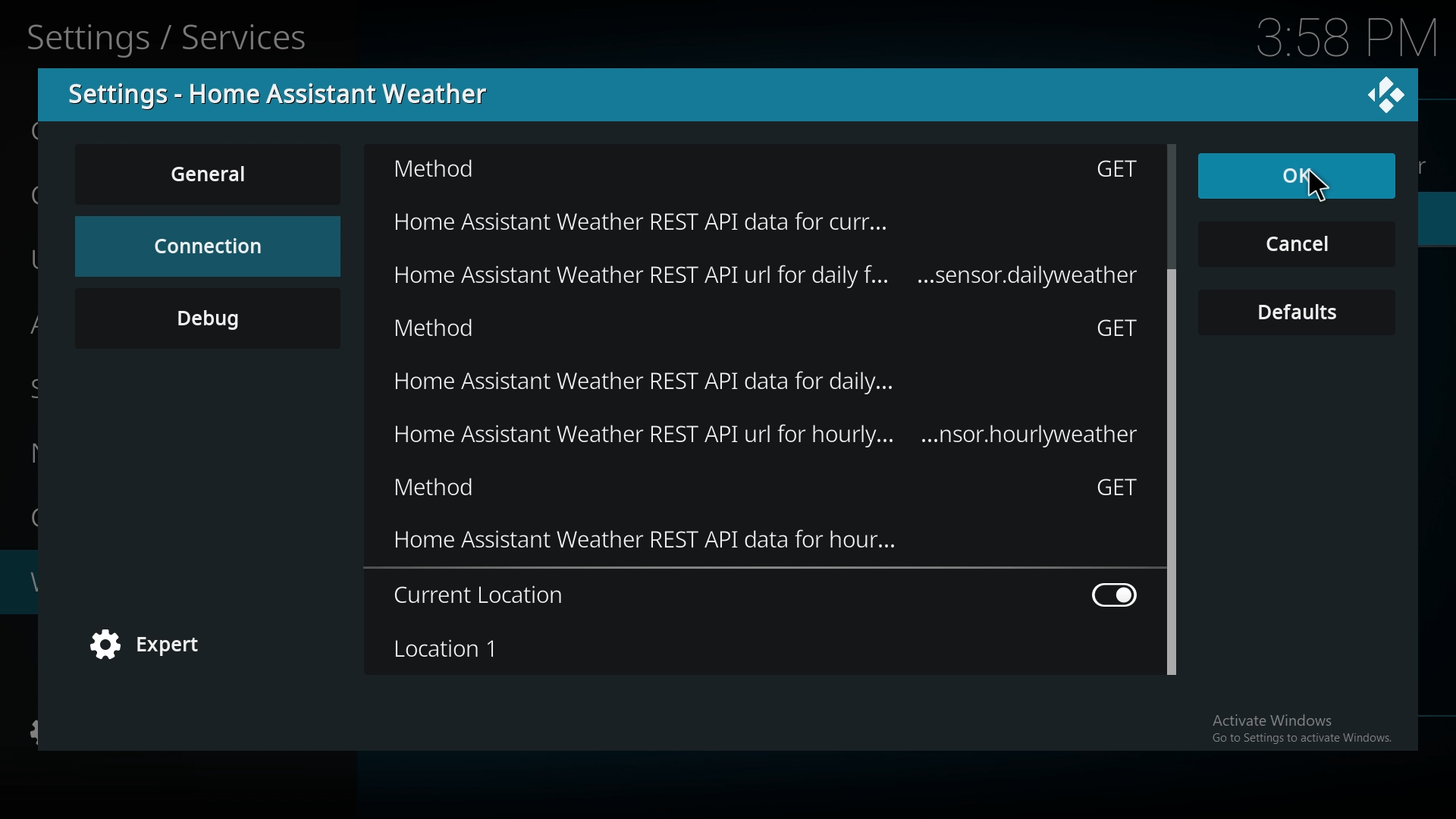 This screenshot has width=1456, height=819. Describe the element at coordinates (1298, 313) in the screenshot. I see `defaults` at that location.